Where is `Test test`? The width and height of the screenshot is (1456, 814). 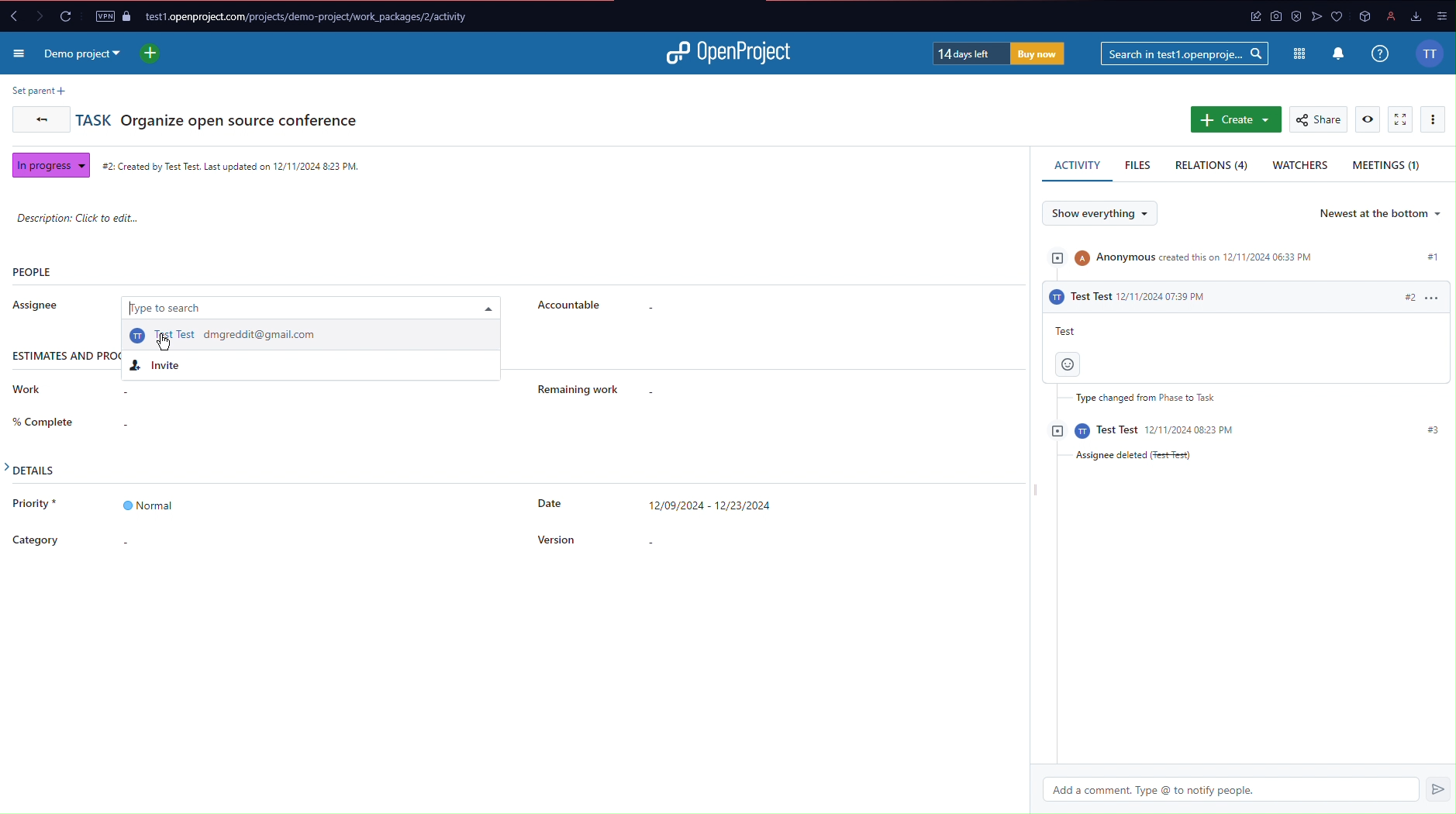 Test test is located at coordinates (1144, 432).